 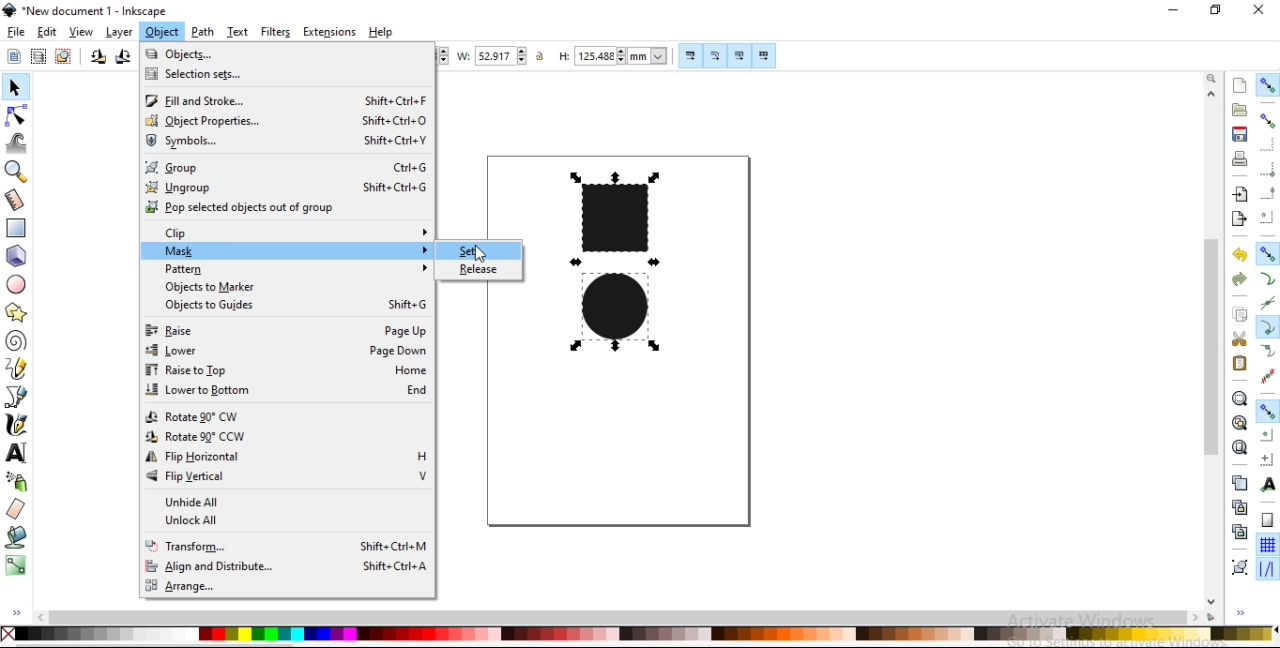 What do you see at coordinates (285, 330) in the screenshot?
I see `raise` at bounding box center [285, 330].